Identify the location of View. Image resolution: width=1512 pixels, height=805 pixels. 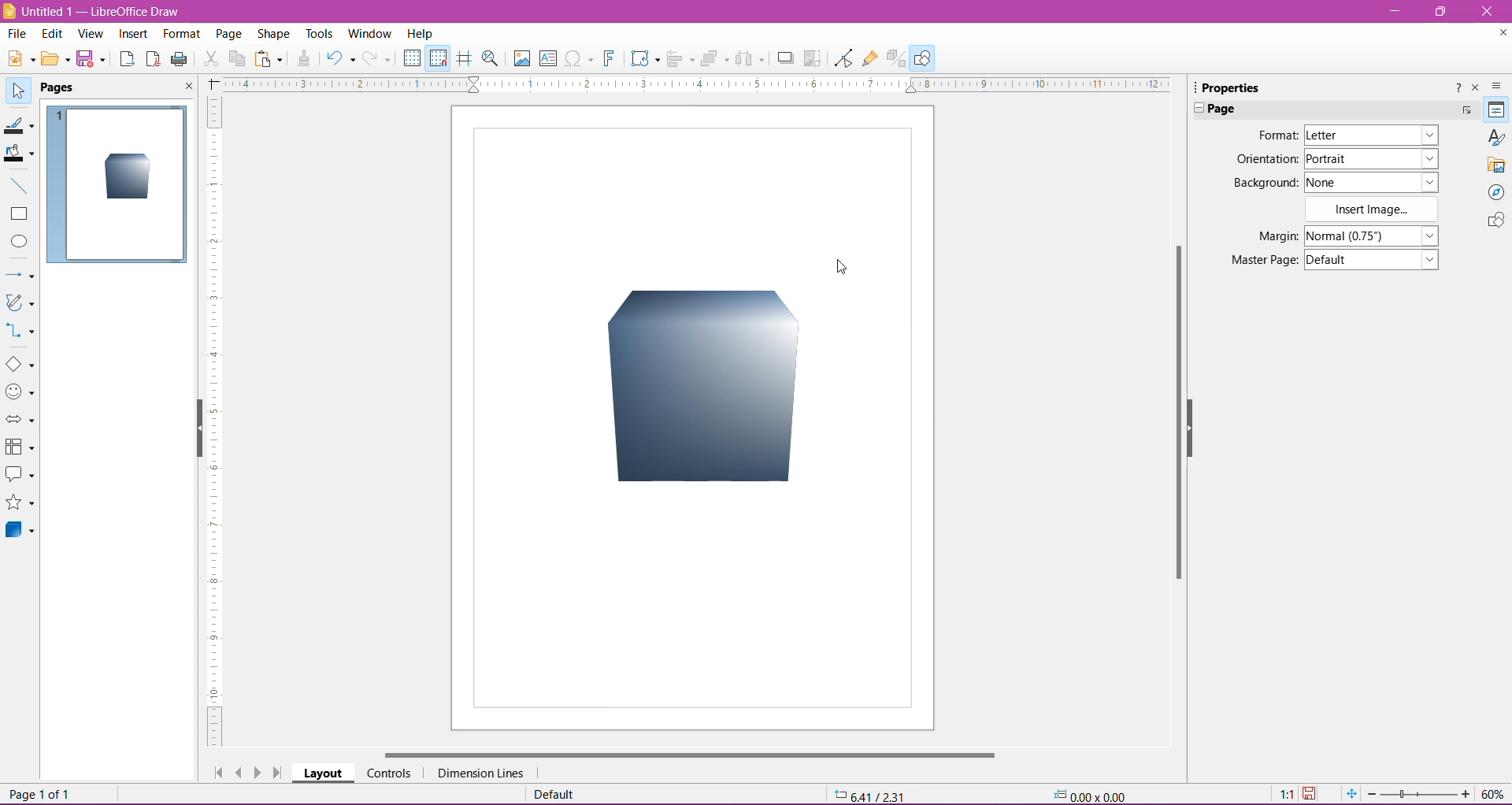
(91, 35).